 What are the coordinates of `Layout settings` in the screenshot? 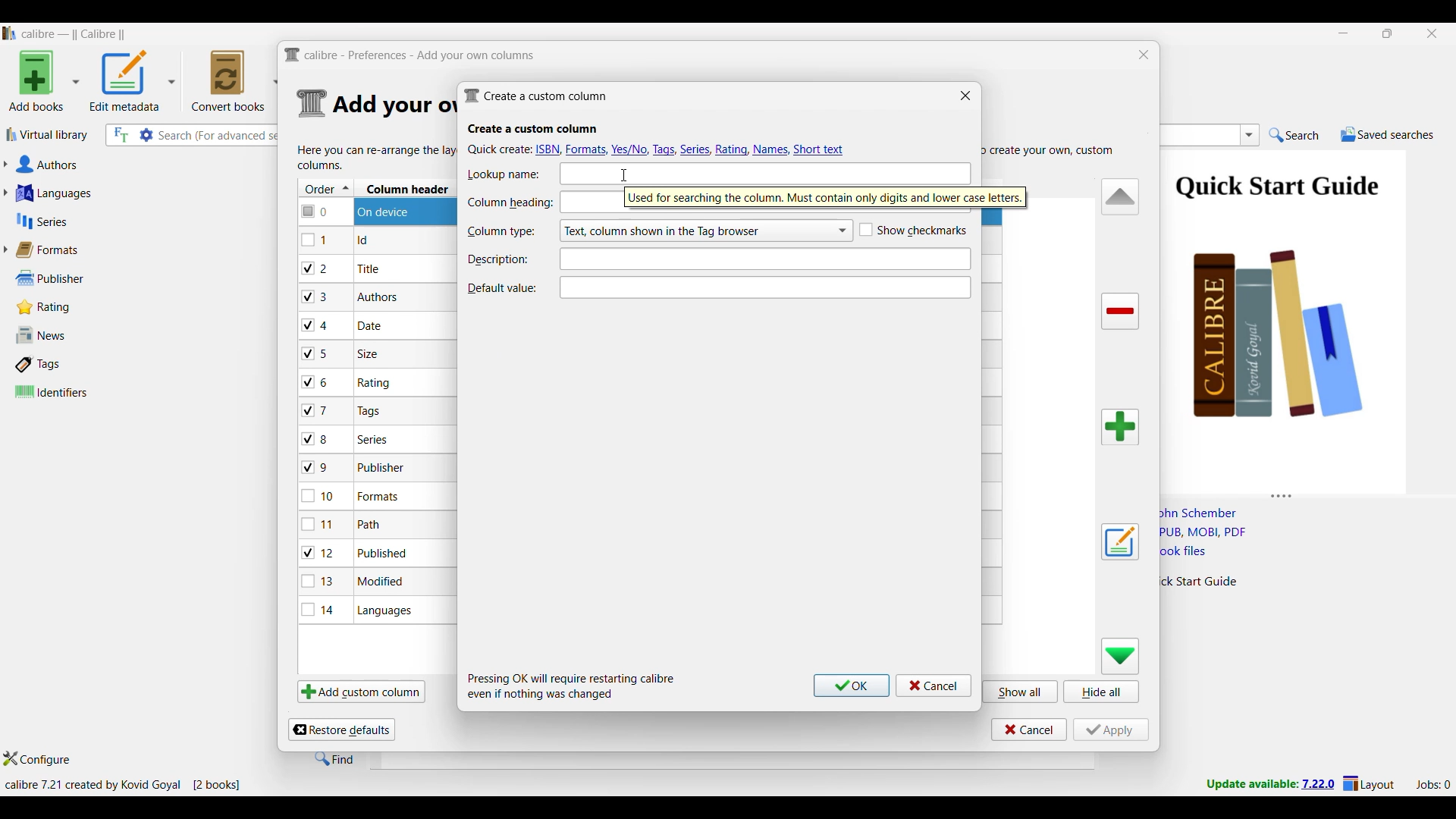 It's located at (1369, 783).